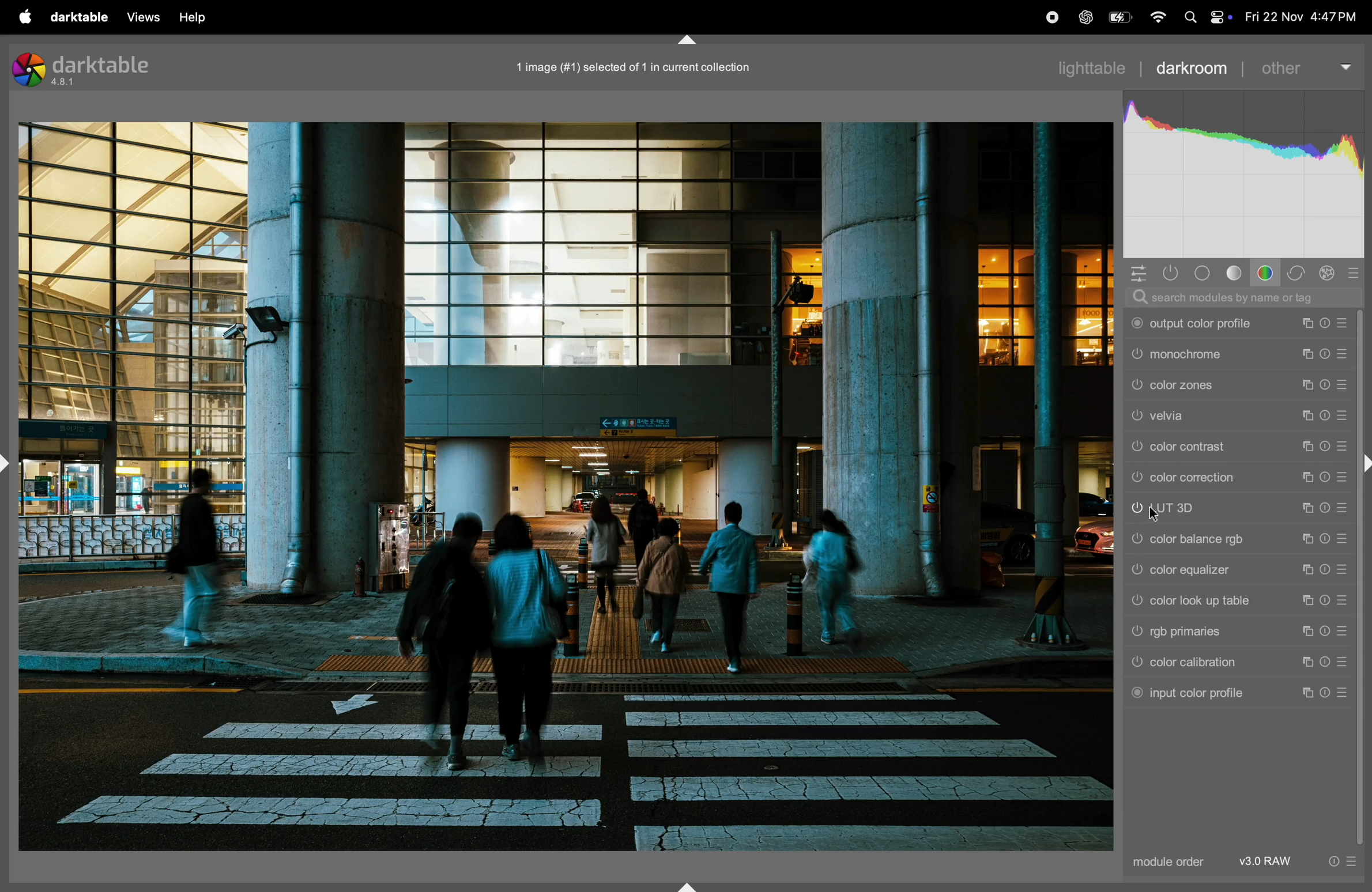 The height and width of the screenshot is (892, 1372). I want to click on color contrast, so click(1217, 447).